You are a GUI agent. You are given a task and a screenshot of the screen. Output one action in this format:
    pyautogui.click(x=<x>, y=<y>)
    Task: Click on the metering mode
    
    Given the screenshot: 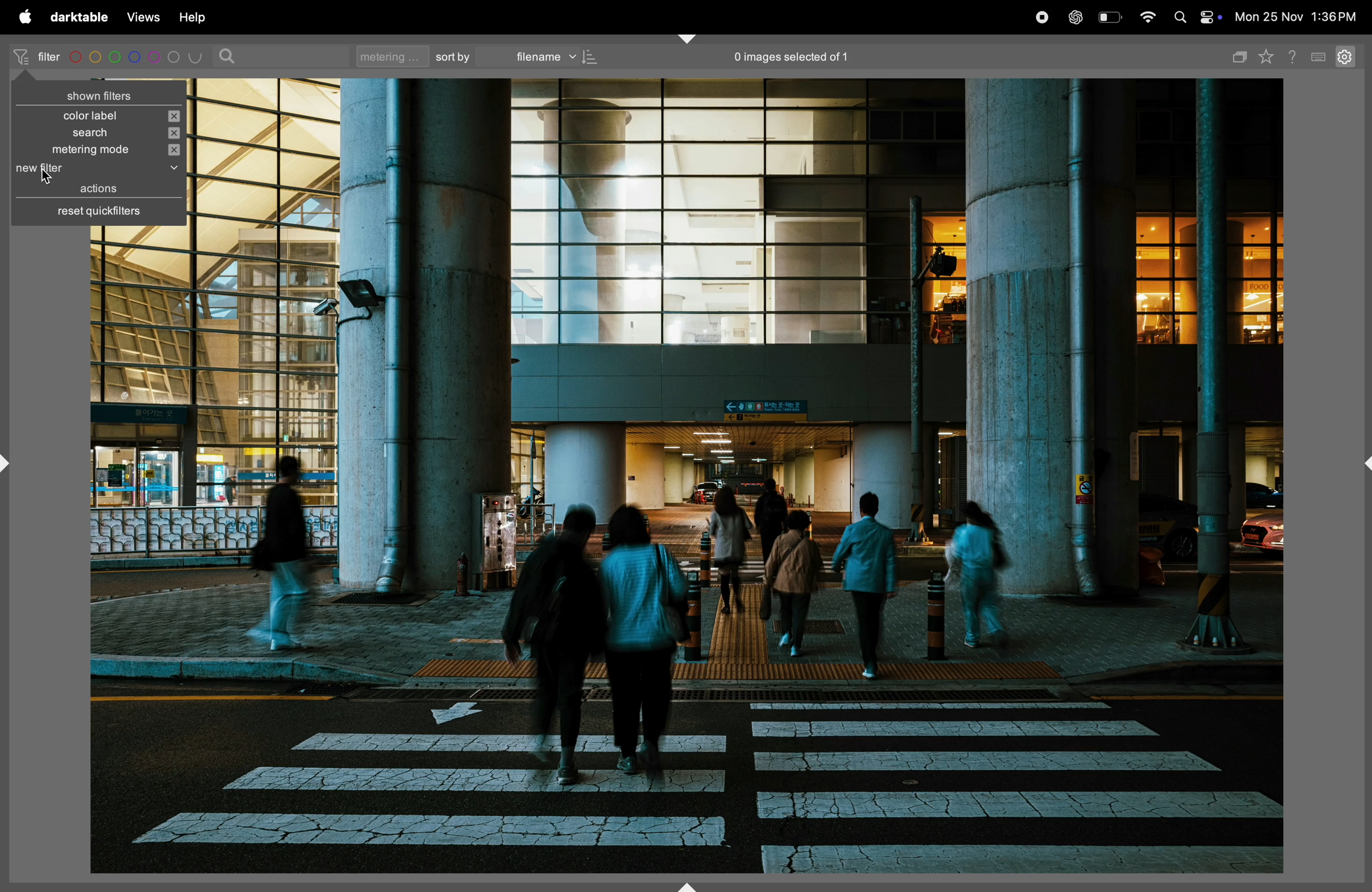 What is the action you would take?
    pyautogui.click(x=96, y=151)
    